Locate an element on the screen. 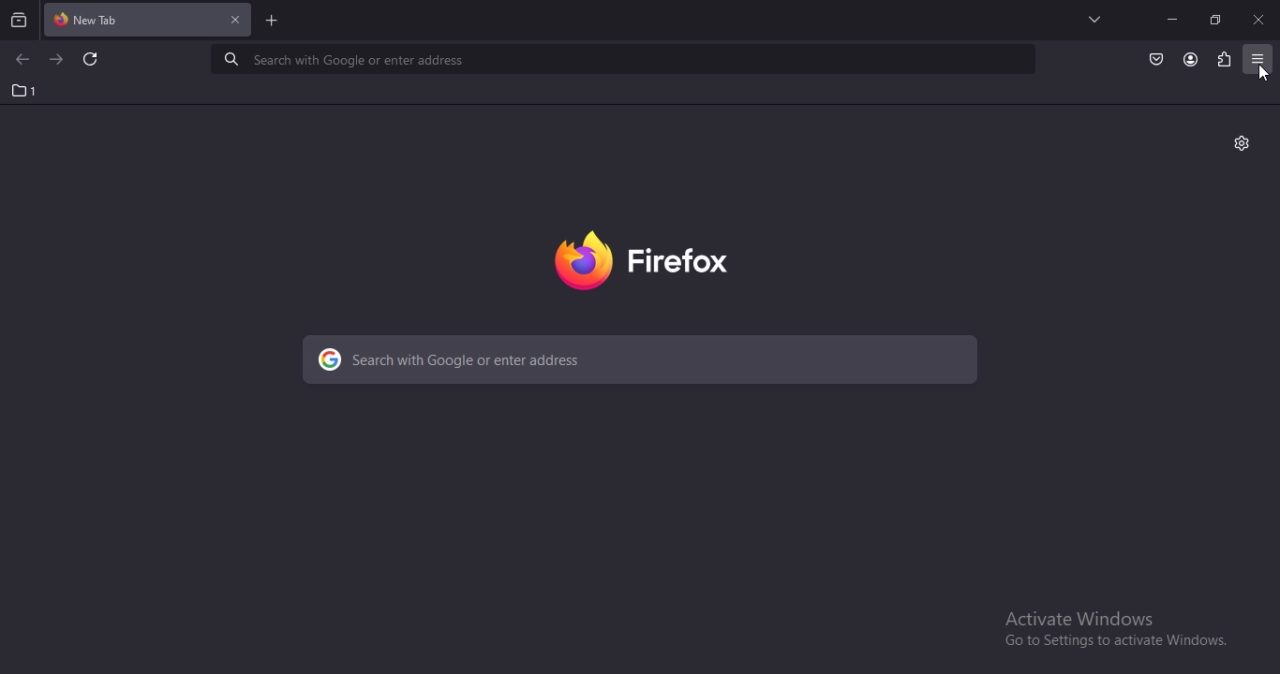 Image resolution: width=1280 pixels, height=674 pixels. restore windows is located at coordinates (1216, 18).